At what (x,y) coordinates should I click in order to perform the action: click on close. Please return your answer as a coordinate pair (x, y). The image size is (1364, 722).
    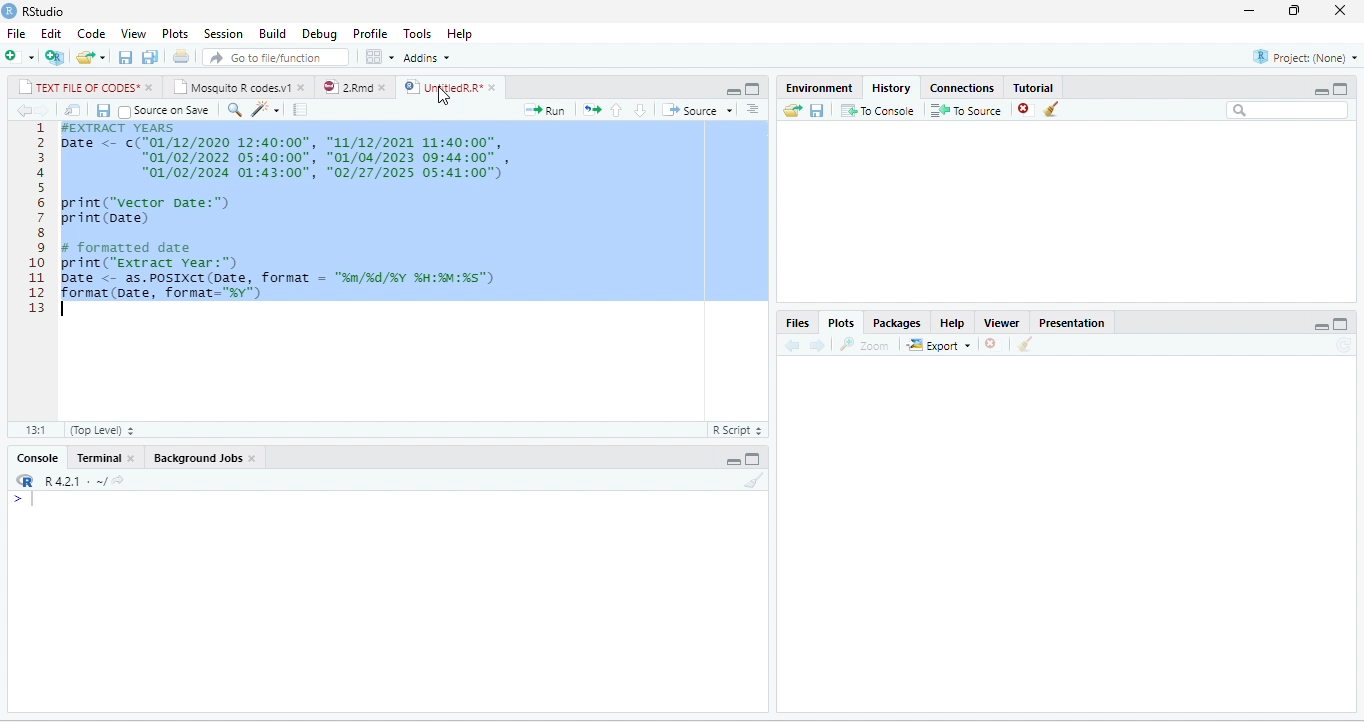
    Looking at the image, I should click on (1340, 11).